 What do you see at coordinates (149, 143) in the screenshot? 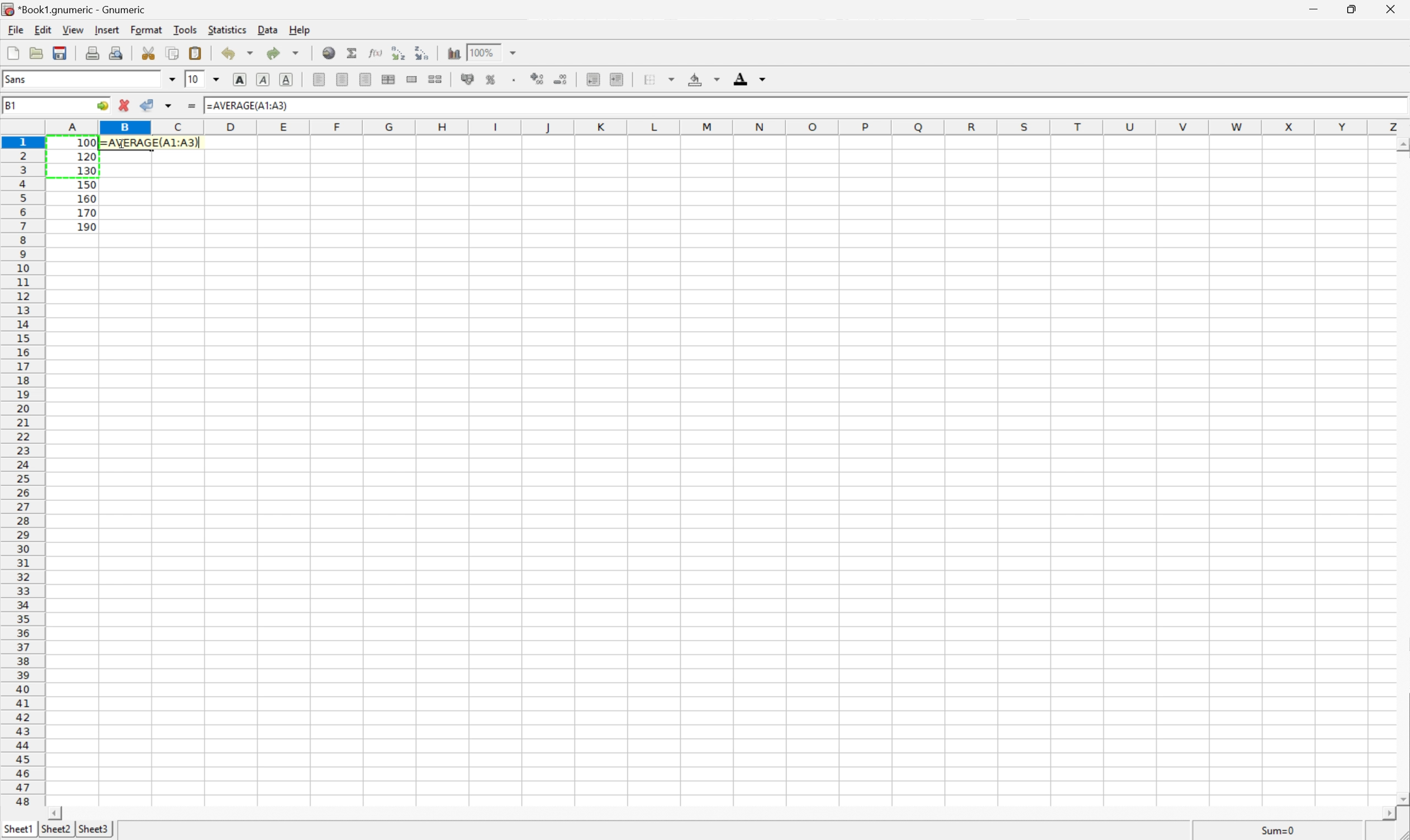
I see `=AVERAGE(A1:A3)` at bounding box center [149, 143].